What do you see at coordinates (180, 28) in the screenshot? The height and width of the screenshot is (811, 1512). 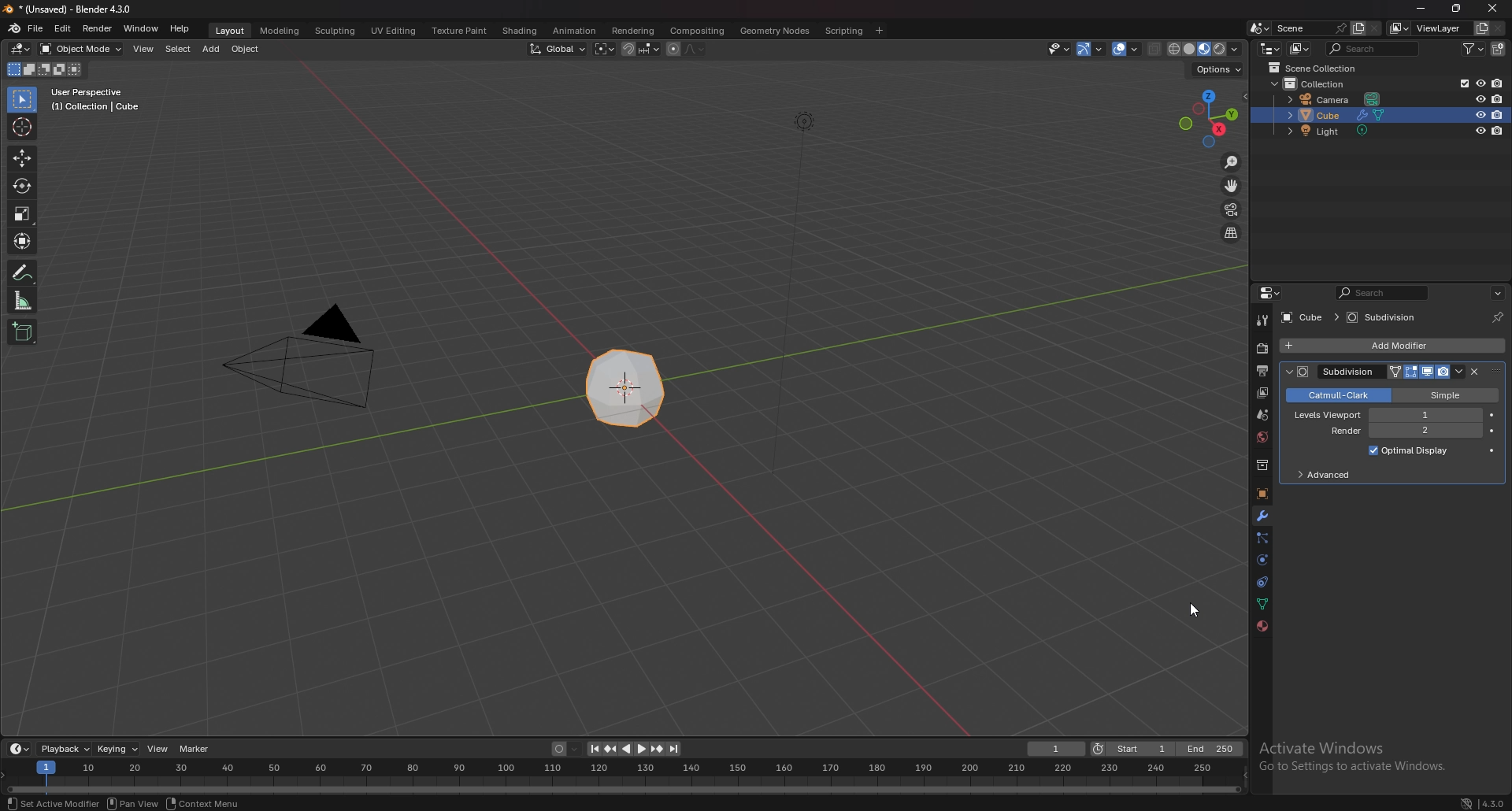 I see `help` at bounding box center [180, 28].